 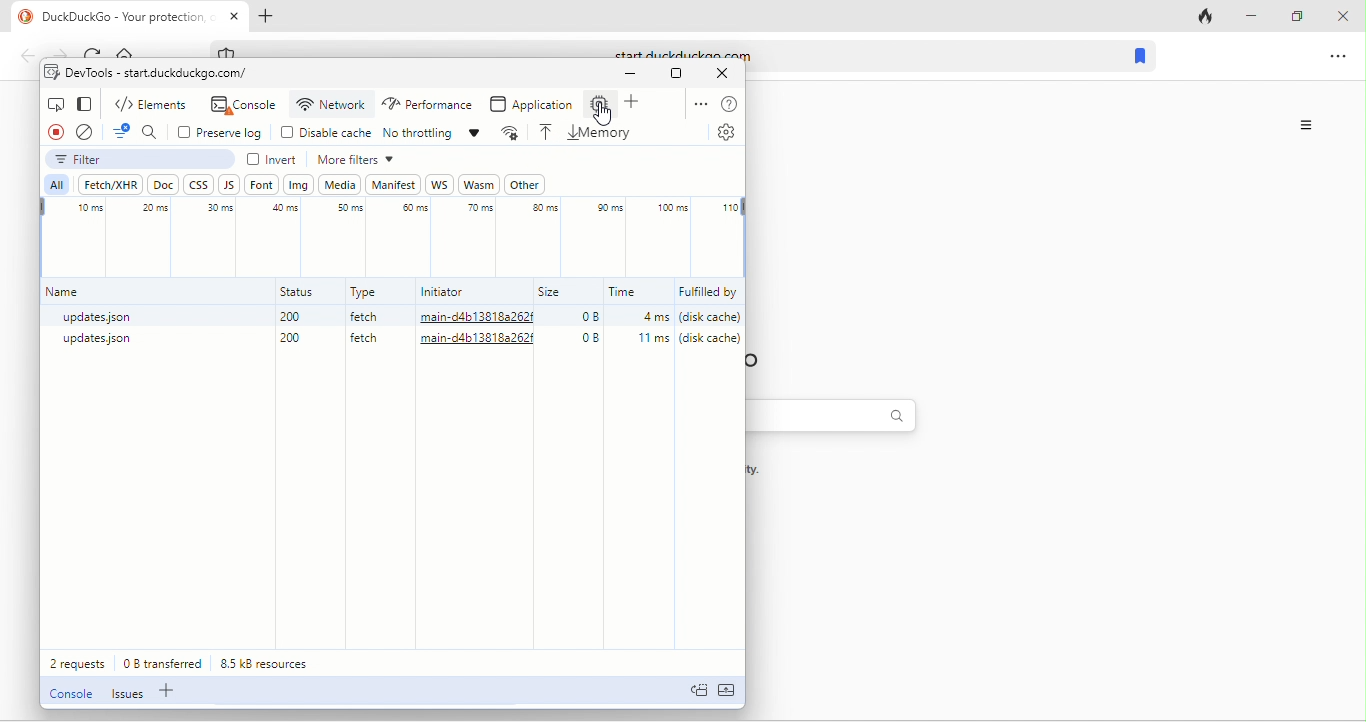 I want to click on type, so click(x=378, y=289).